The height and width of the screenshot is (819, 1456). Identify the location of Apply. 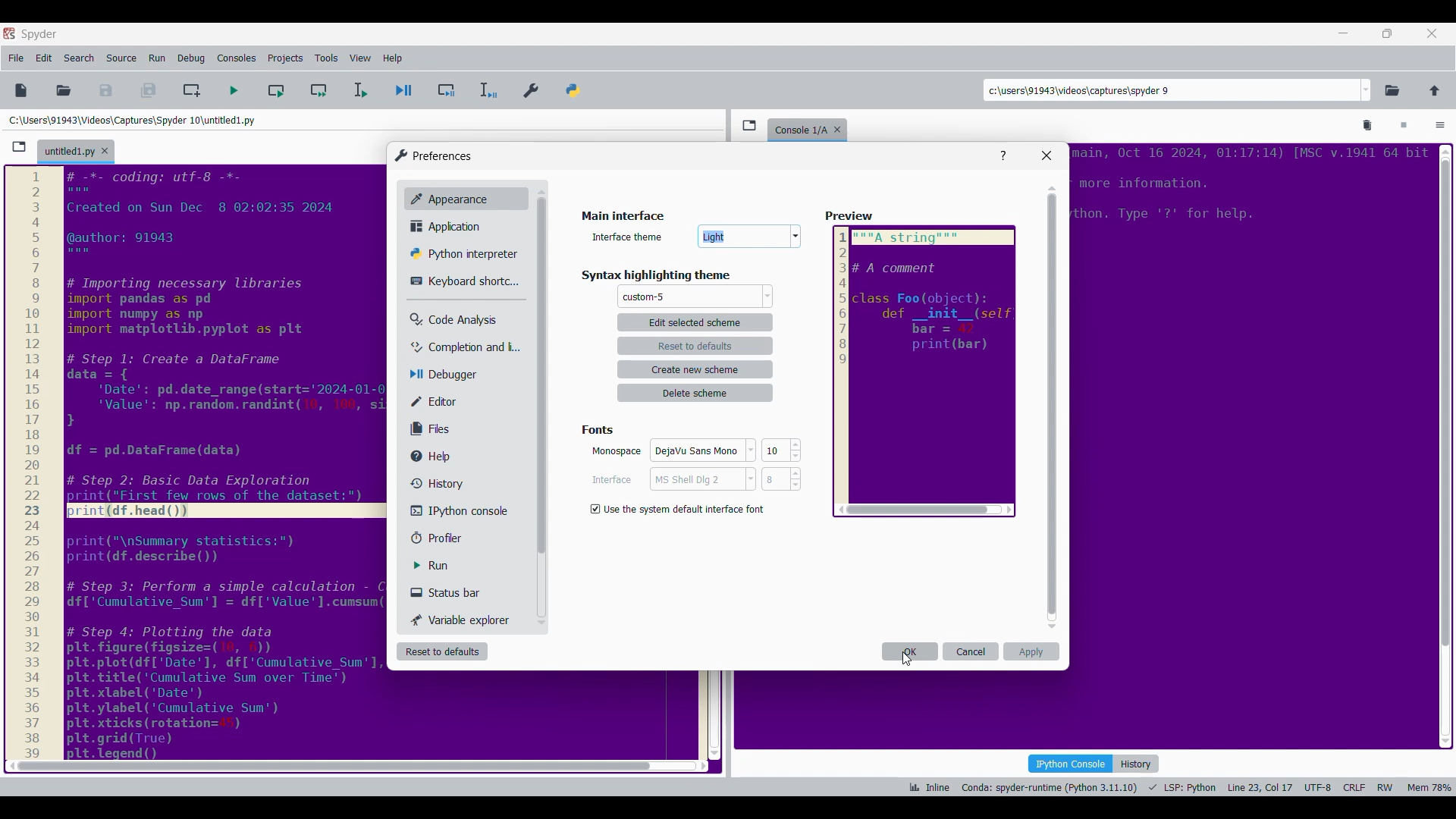
(1031, 651).